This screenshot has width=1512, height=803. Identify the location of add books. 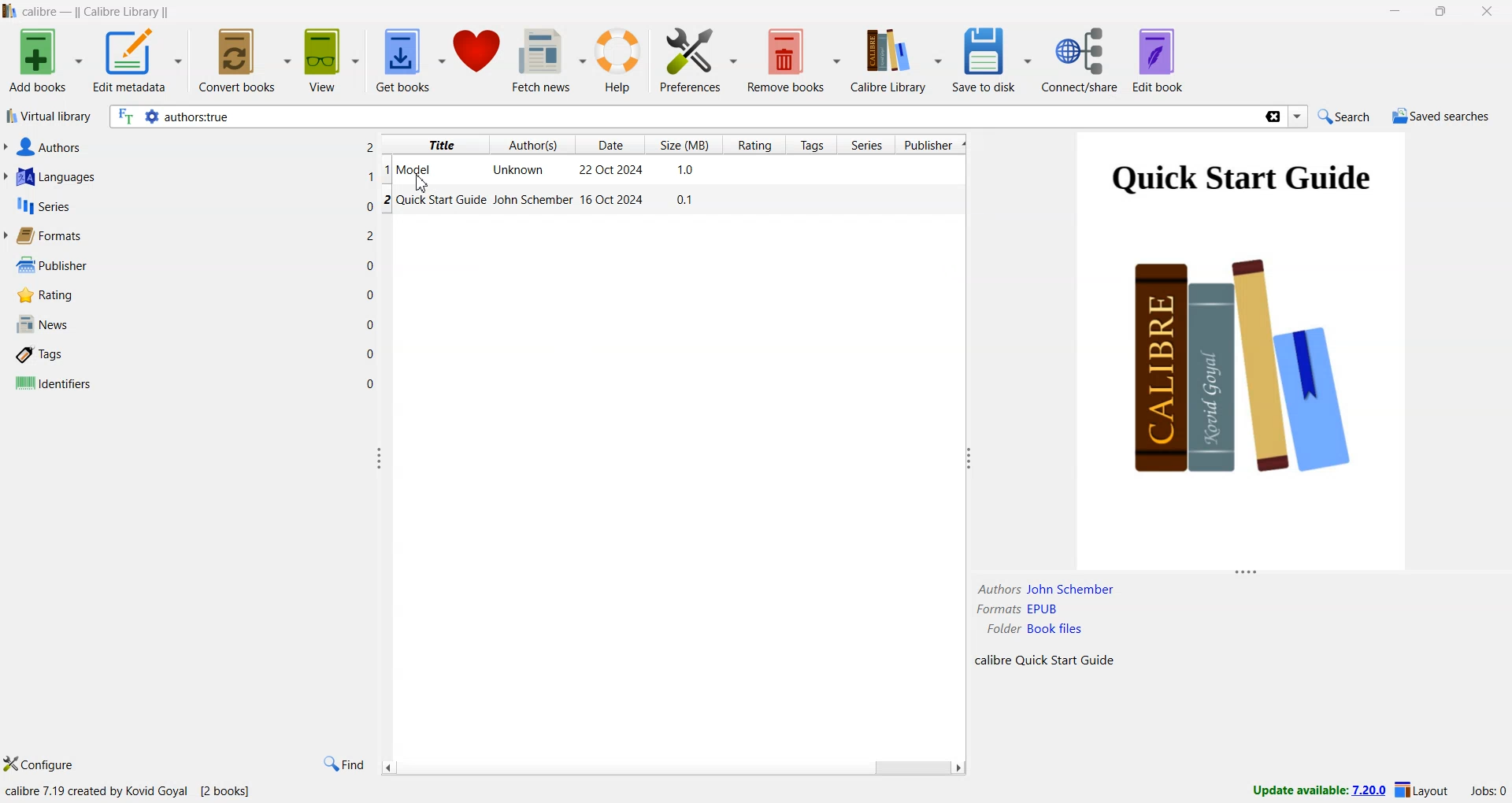
(44, 61).